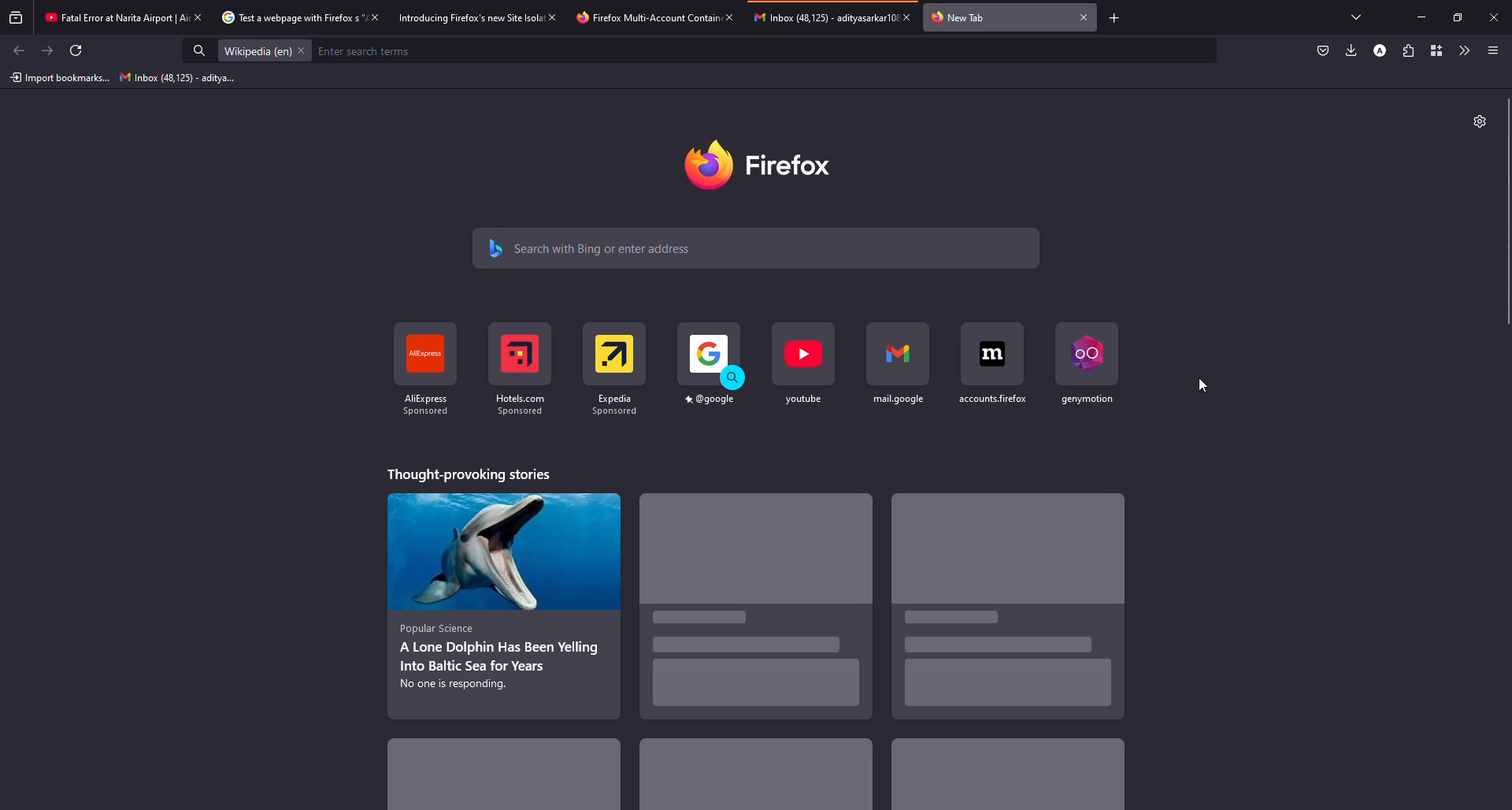  Describe the element at coordinates (1351, 51) in the screenshot. I see `downloads` at that location.